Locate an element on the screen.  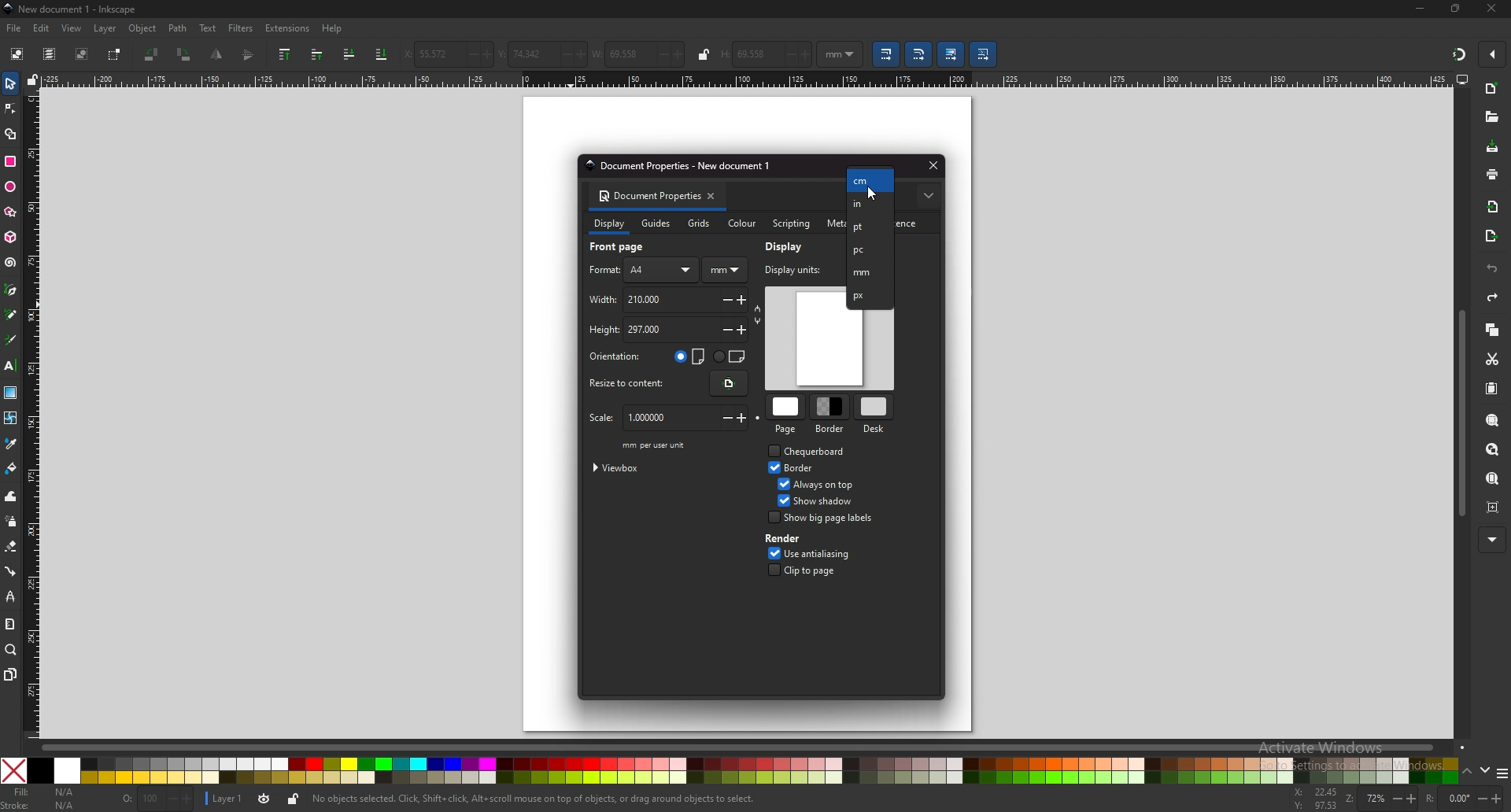
import is located at coordinates (1494, 209).